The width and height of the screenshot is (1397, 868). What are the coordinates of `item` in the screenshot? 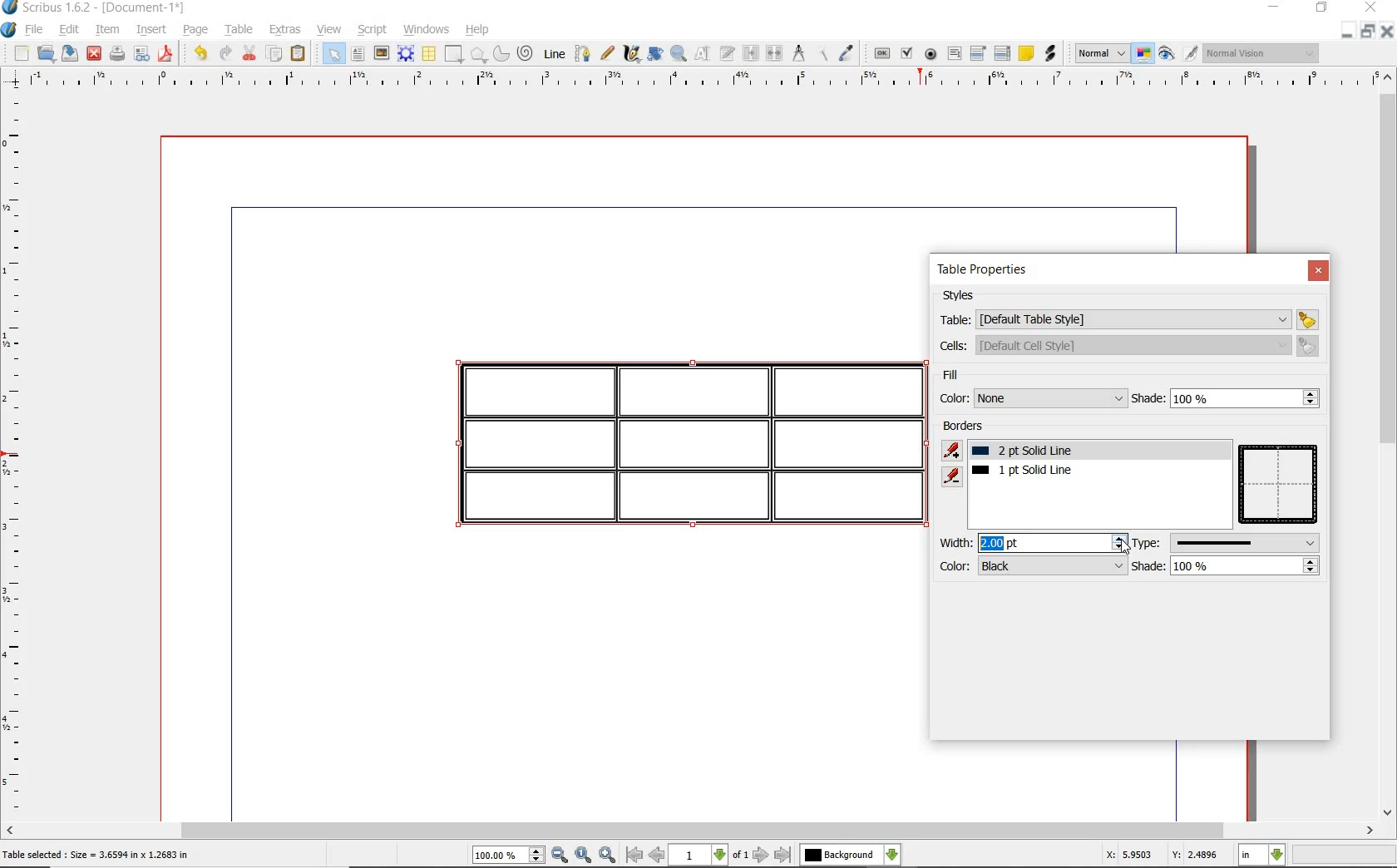 It's located at (106, 31).